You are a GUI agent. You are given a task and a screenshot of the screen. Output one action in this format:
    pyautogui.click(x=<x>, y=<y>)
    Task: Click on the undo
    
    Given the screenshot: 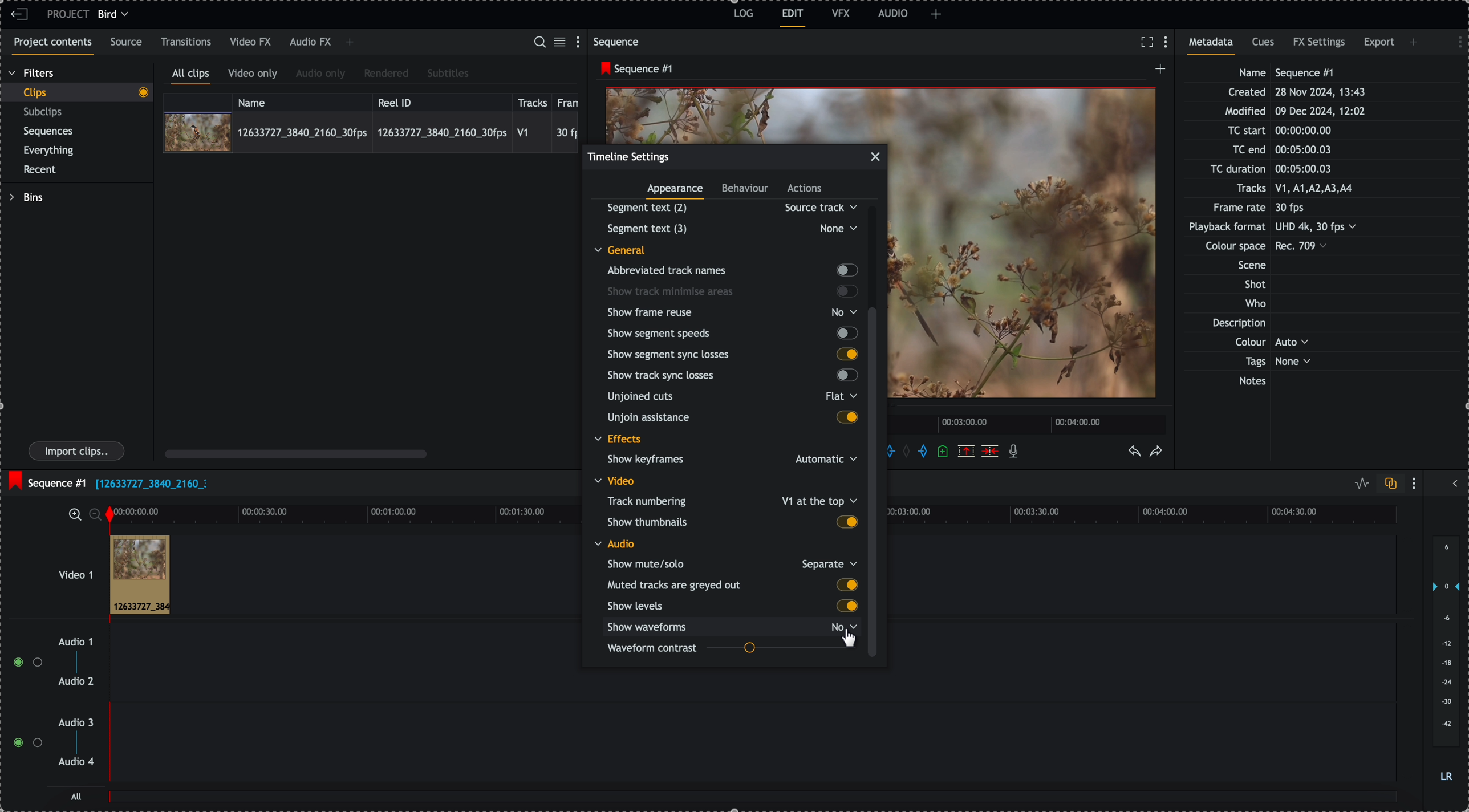 What is the action you would take?
    pyautogui.click(x=1135, y=452)
    